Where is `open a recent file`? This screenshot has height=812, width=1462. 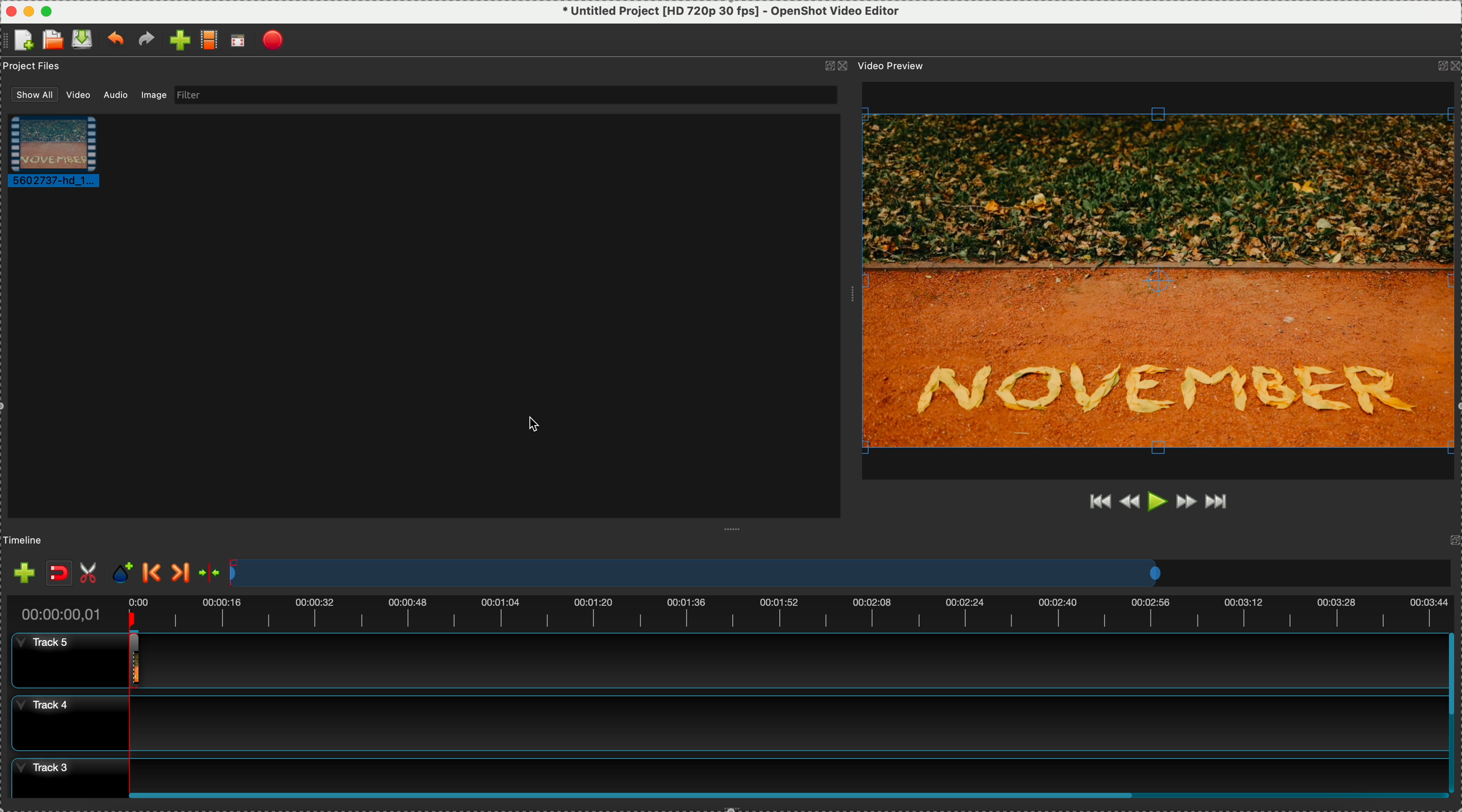
open a recent file is located at coordinates (52, 40).